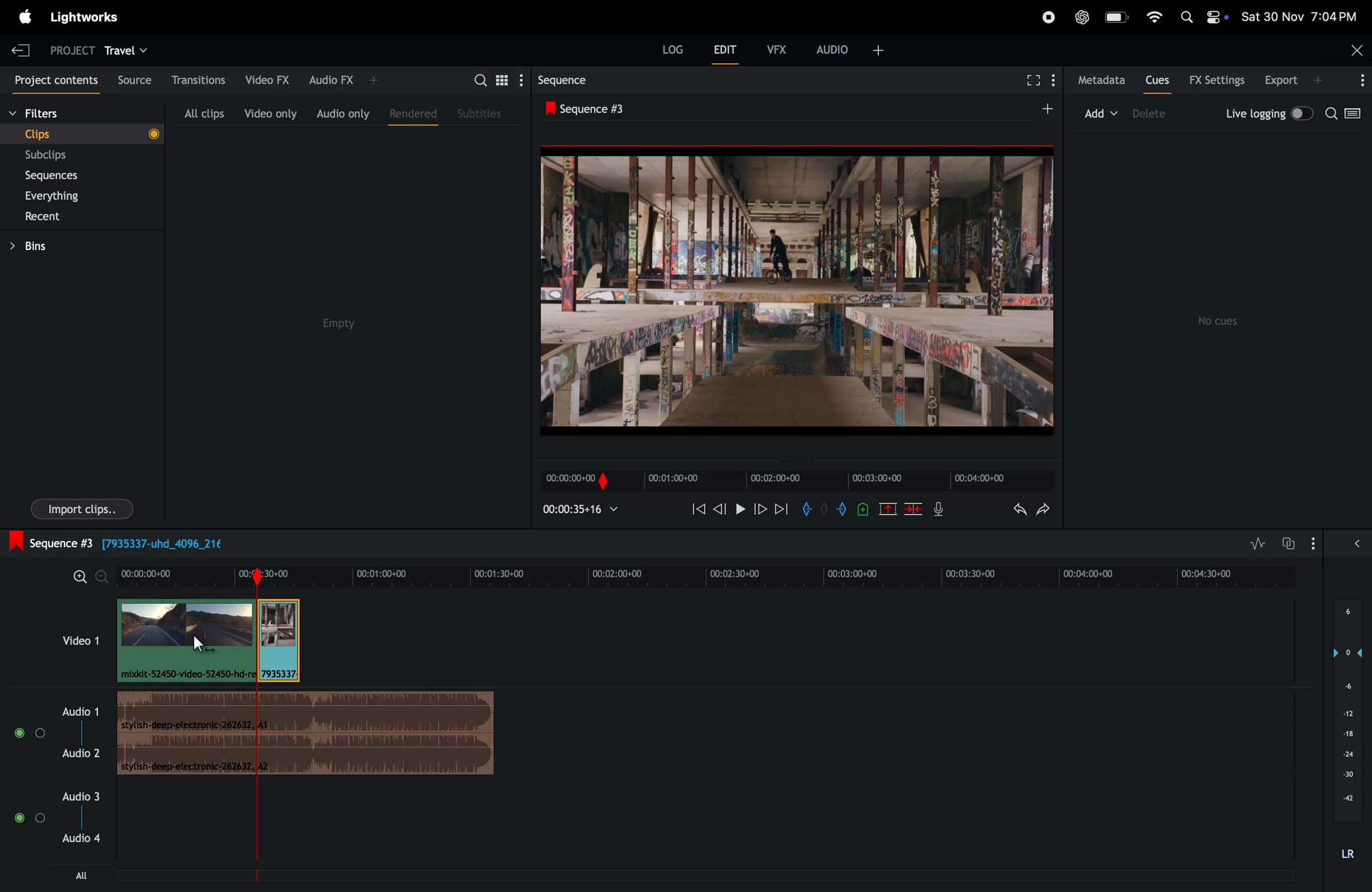 Image resolution: width=1372 pixels, height=892 pixels. What do you see at coordinates (82, 508) in the screenshot?
I see `import clips` at bounding box center [82, 508].